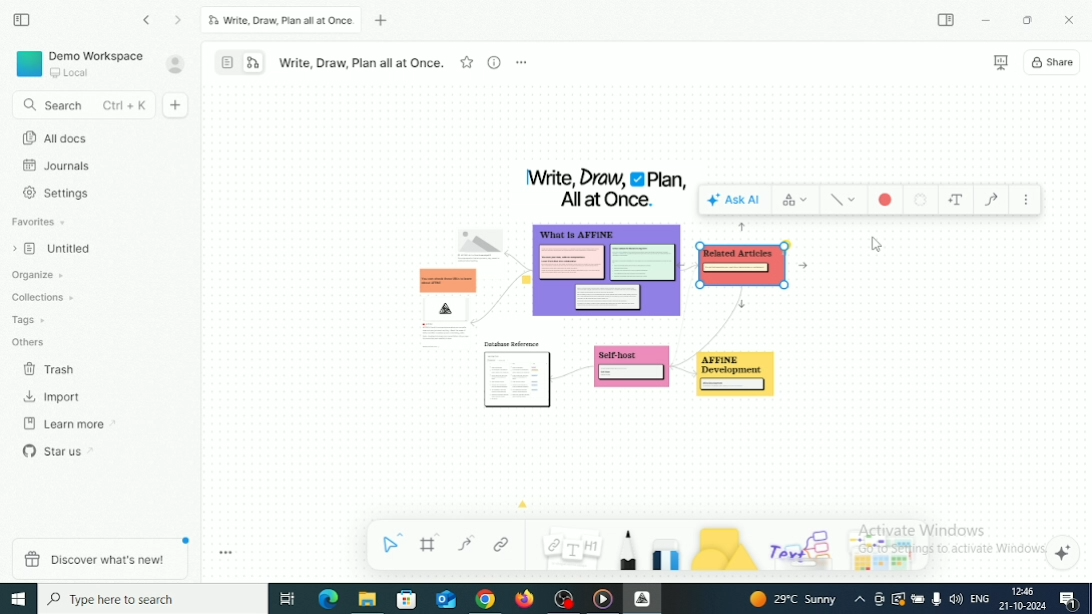 This screenshot has height=614, width=1092. I want to click on Minimize, so click(987, 21).